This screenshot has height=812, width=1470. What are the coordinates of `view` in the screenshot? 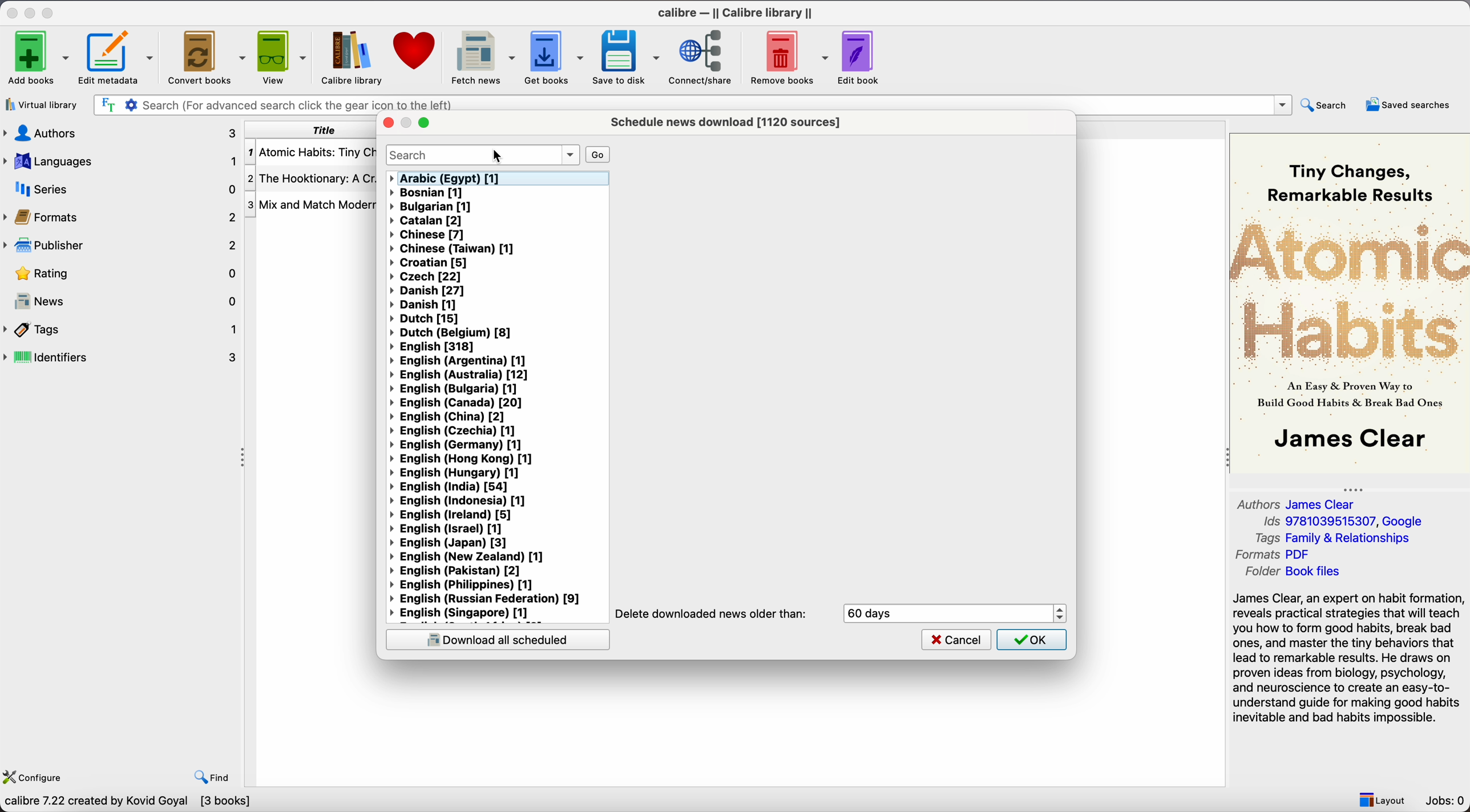 It's located at (281, 57).